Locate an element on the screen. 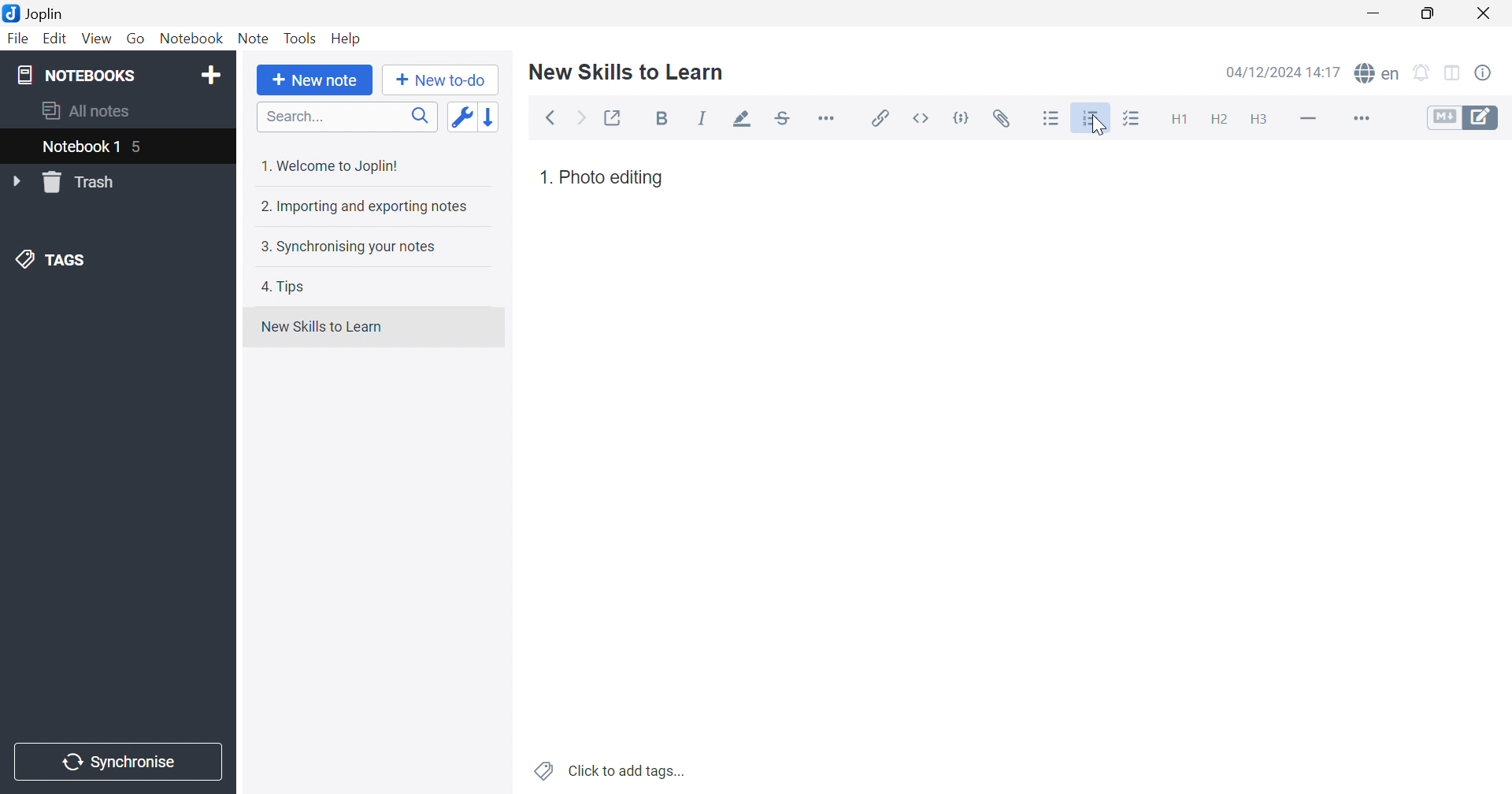  Set alarm is located at coordinates (1422, 73).